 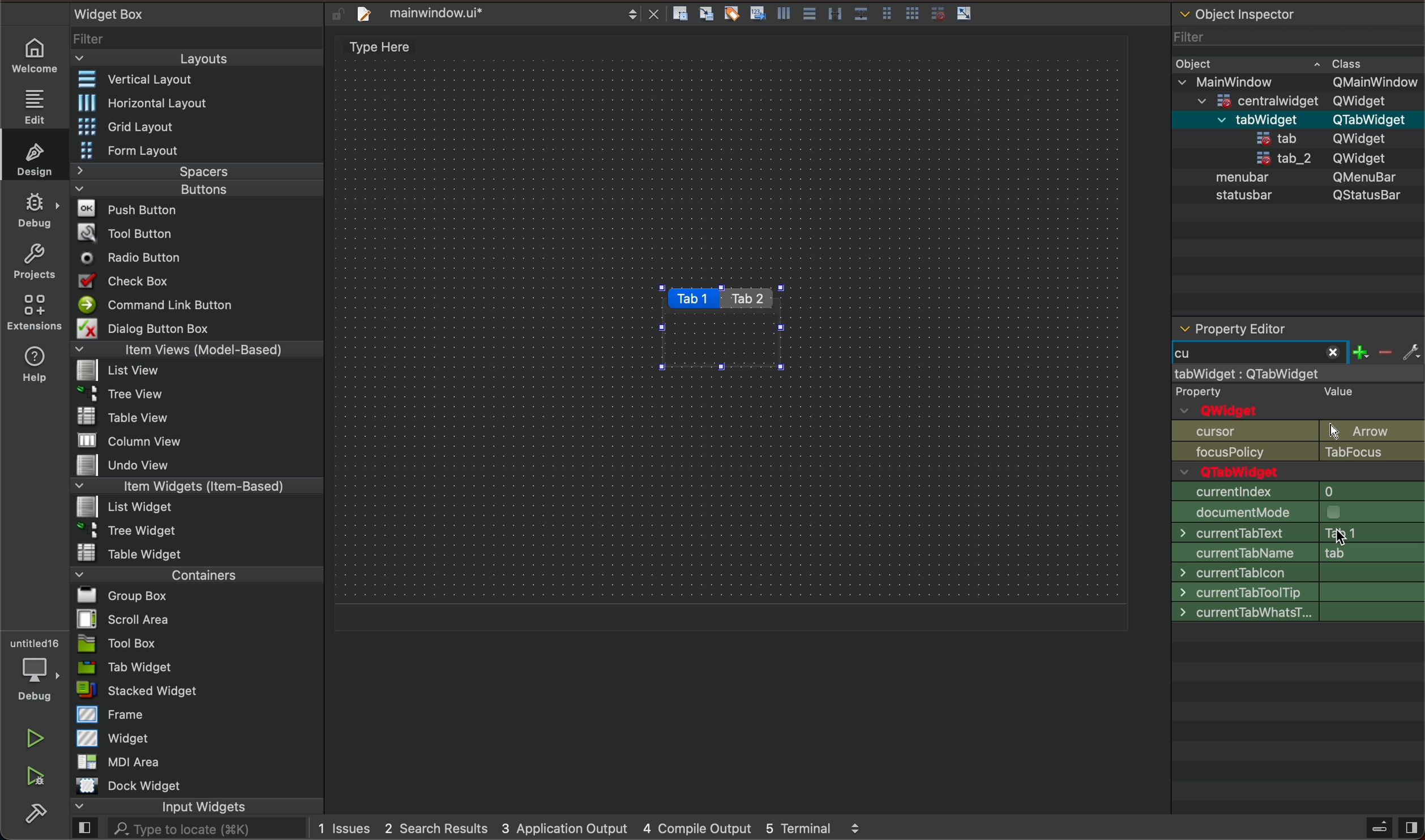 What do you see at coordinates (1264, 355) in the screenshot?
I see `start typing` at bounding box center [1264, 355].